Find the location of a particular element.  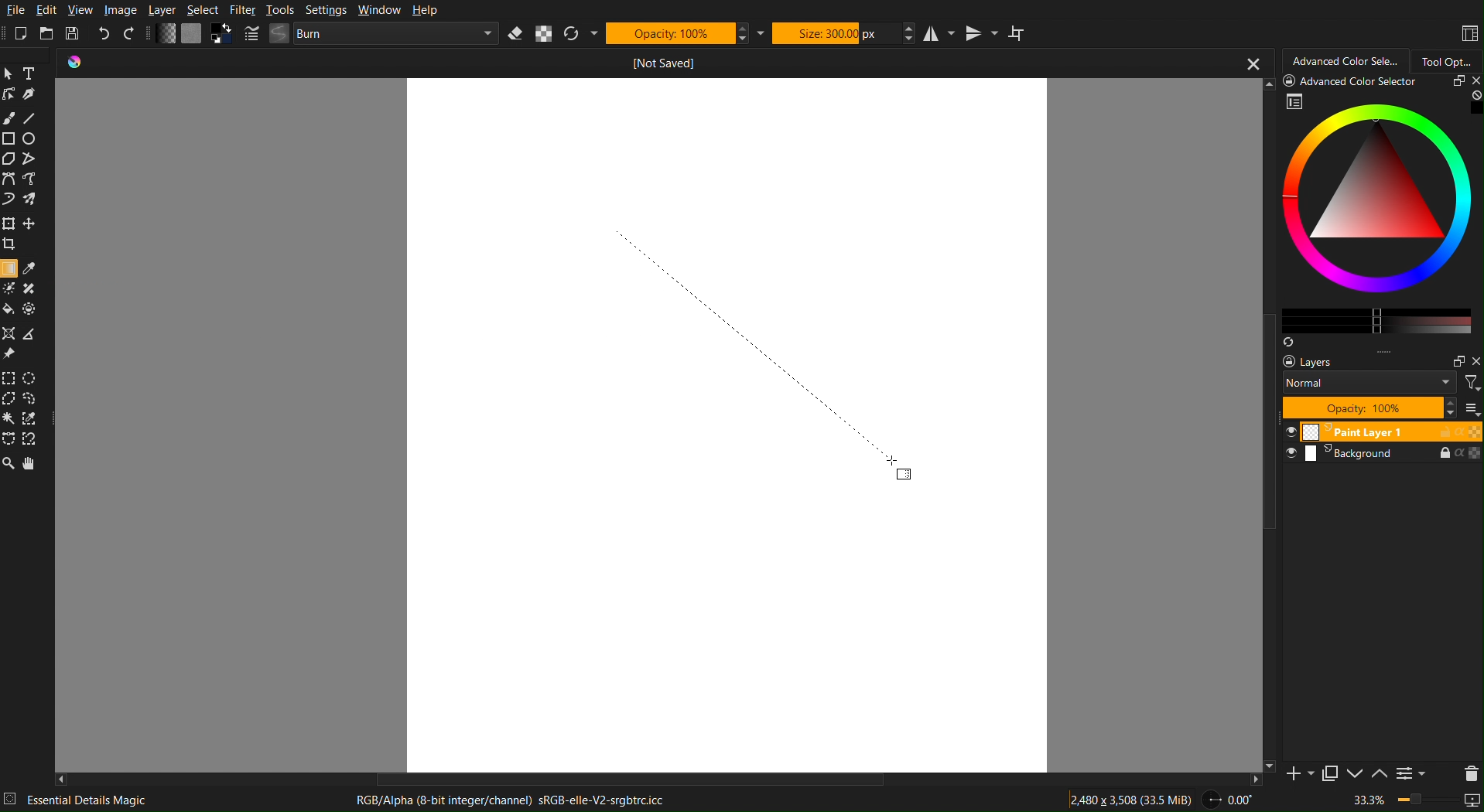

selected Gradient Tool is located at coordinates (10, 268).